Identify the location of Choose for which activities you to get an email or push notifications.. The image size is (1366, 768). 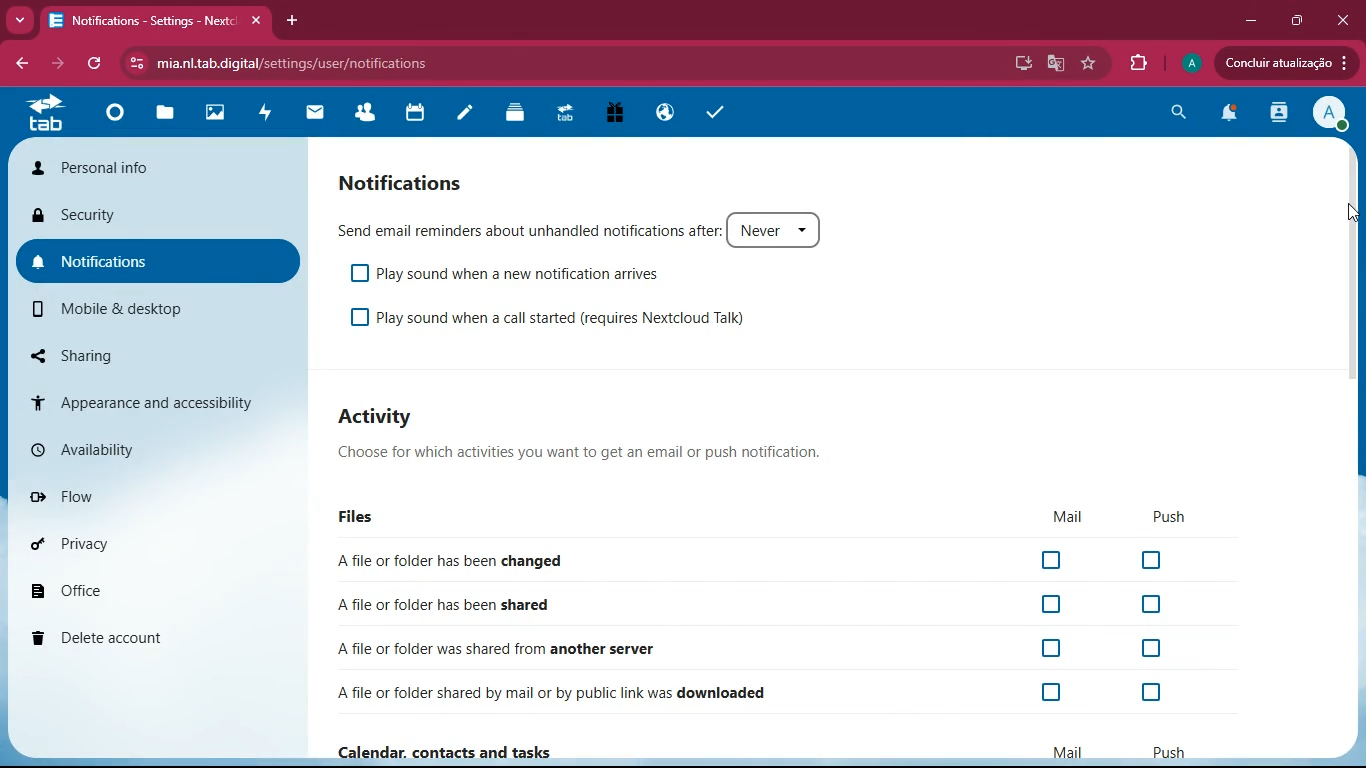
(615, 451).